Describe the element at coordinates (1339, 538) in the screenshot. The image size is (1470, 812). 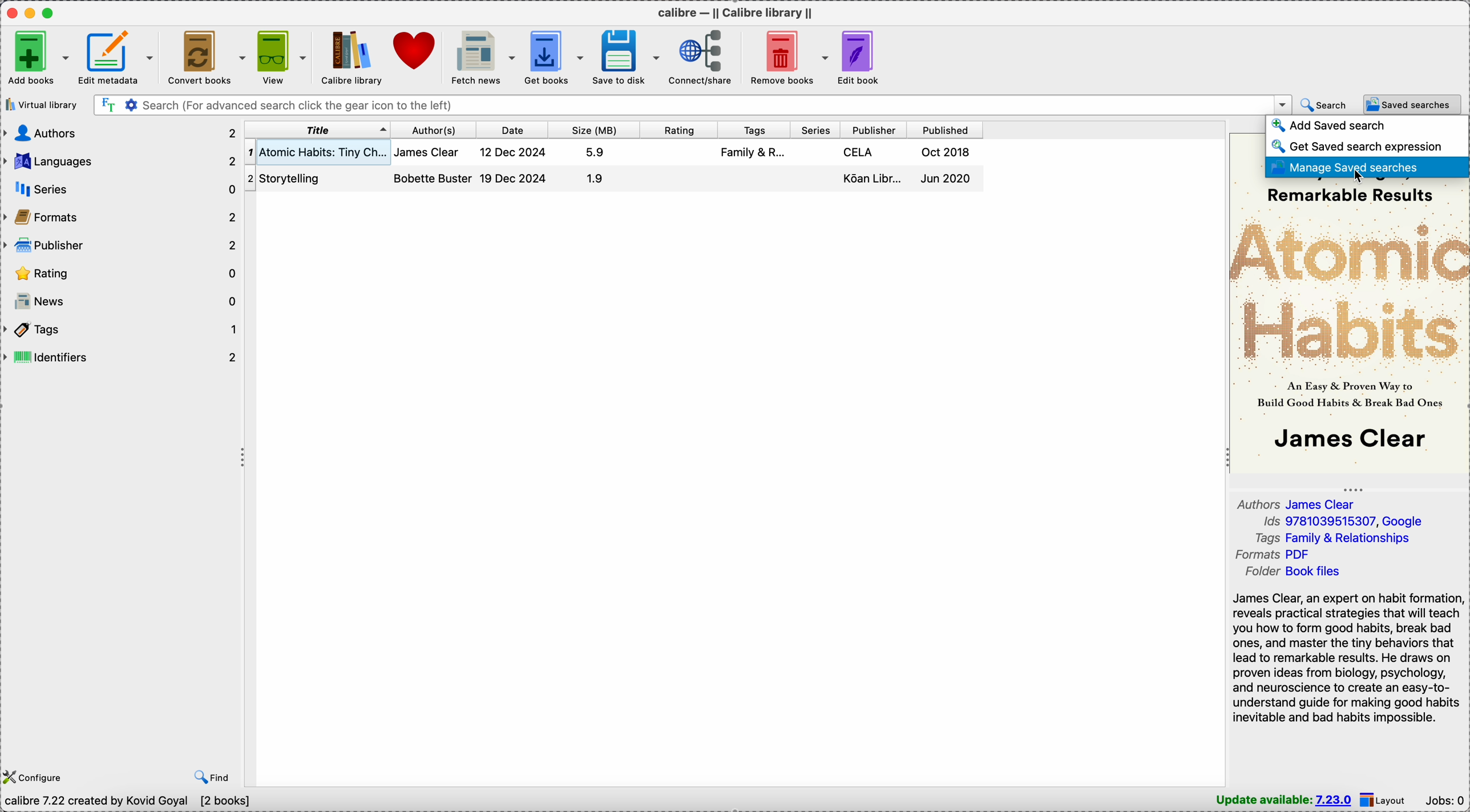
I see `tags: family & relationships` at that location.